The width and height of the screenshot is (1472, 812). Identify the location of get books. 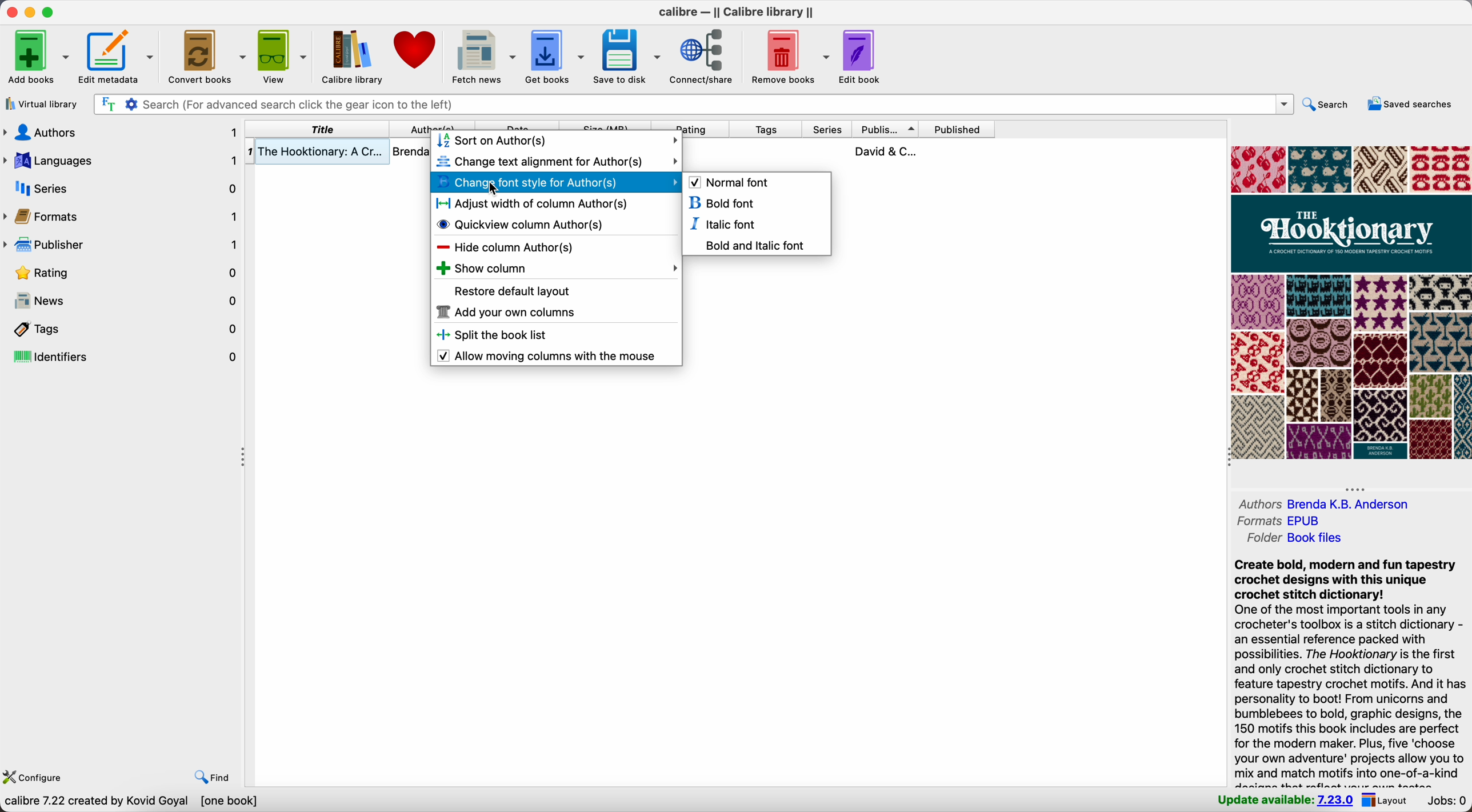
(555, 56).